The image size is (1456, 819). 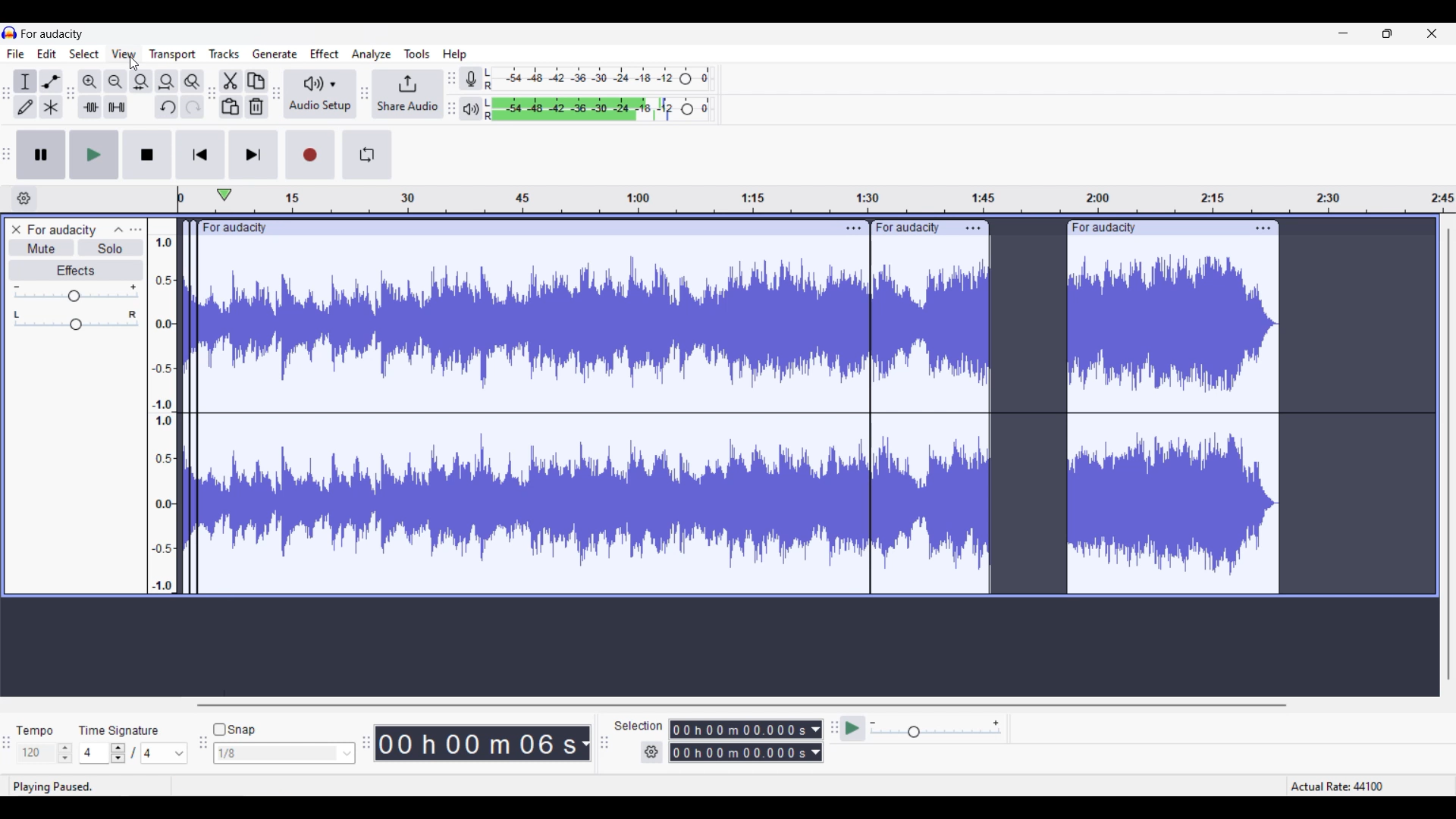 What do you see at coordinates (35, 730) in the screenshot?
I see `tempo` at bounding box center [35, 730].